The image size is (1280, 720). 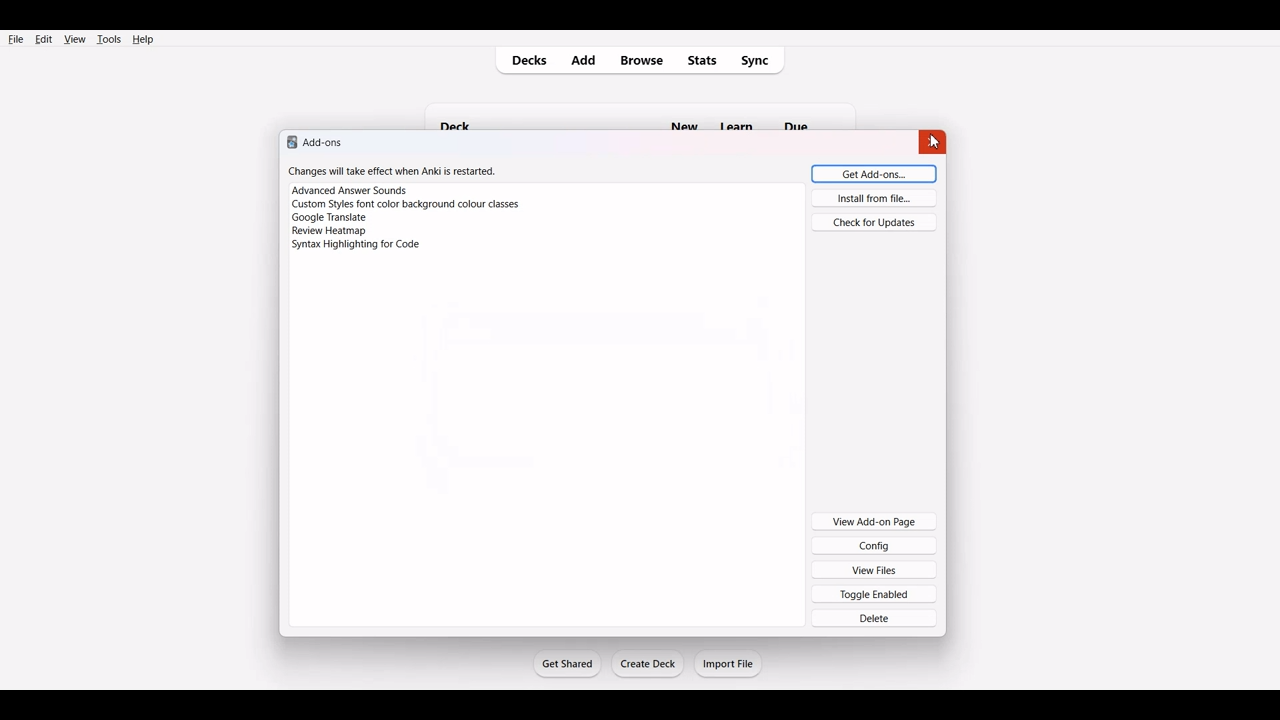 What do you see at coordinates (587, 60) in the screenshot?
I see `Add` at bounding box center [587, 60].